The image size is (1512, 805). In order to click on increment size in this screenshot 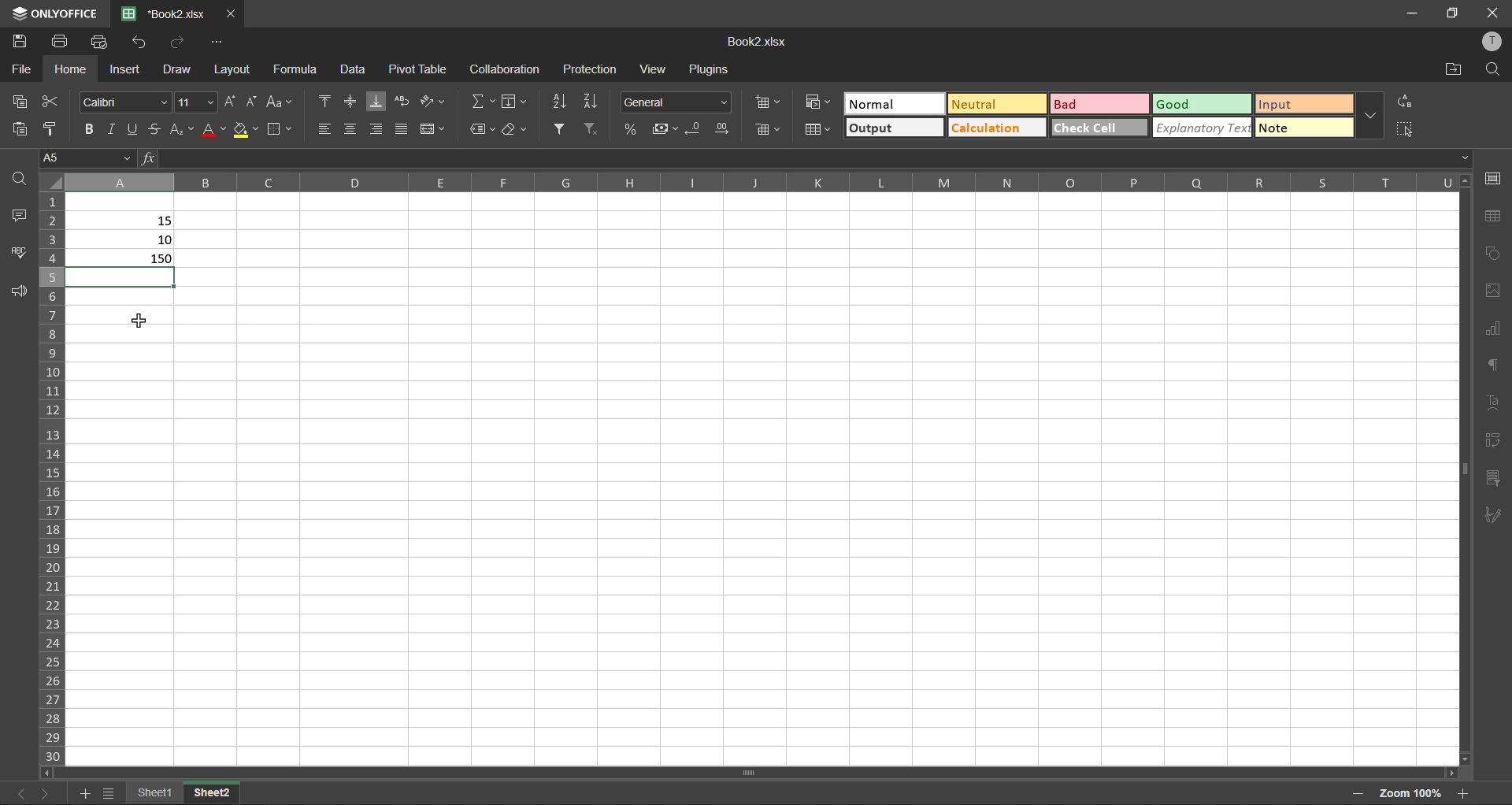, I will do `click(230, 101)`.